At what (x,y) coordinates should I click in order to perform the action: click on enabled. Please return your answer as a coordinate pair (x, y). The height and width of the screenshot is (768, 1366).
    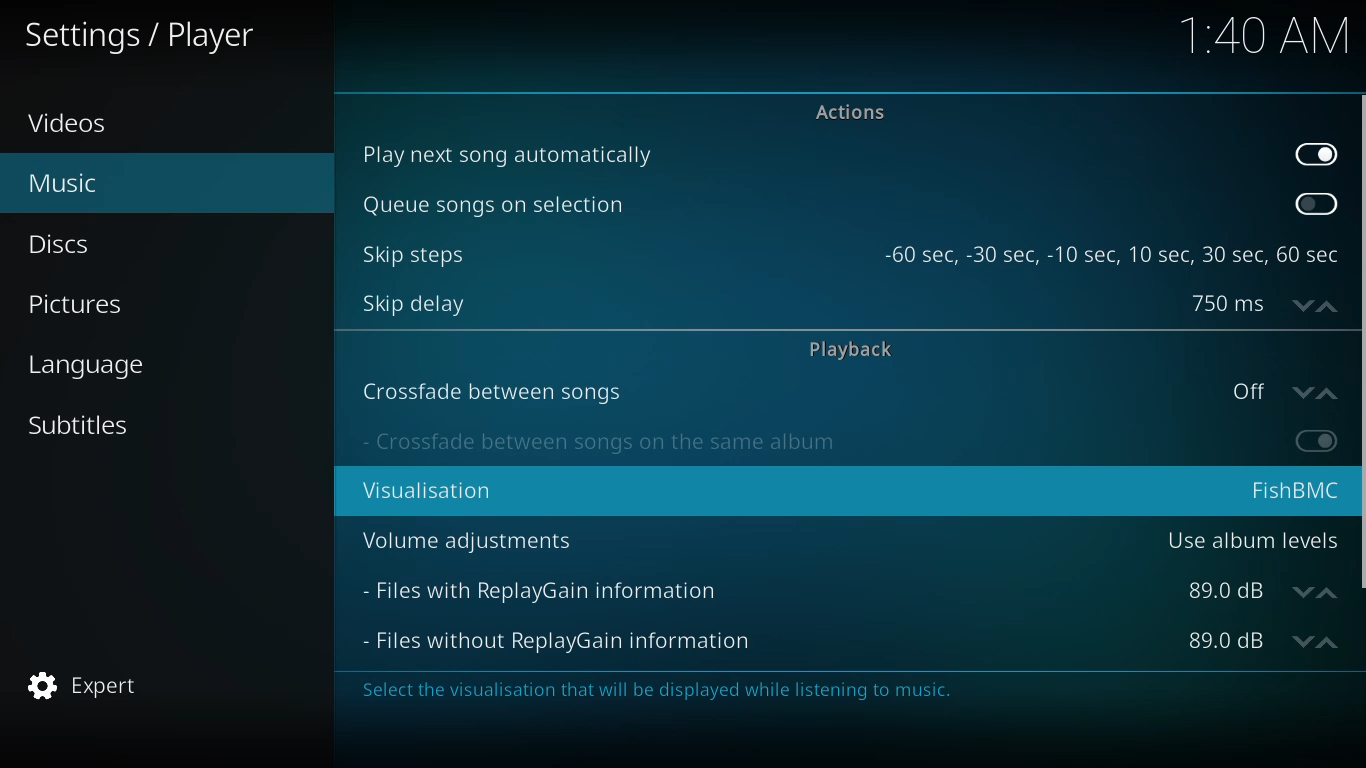
    Looking at the image, I should click on (1315, 154).